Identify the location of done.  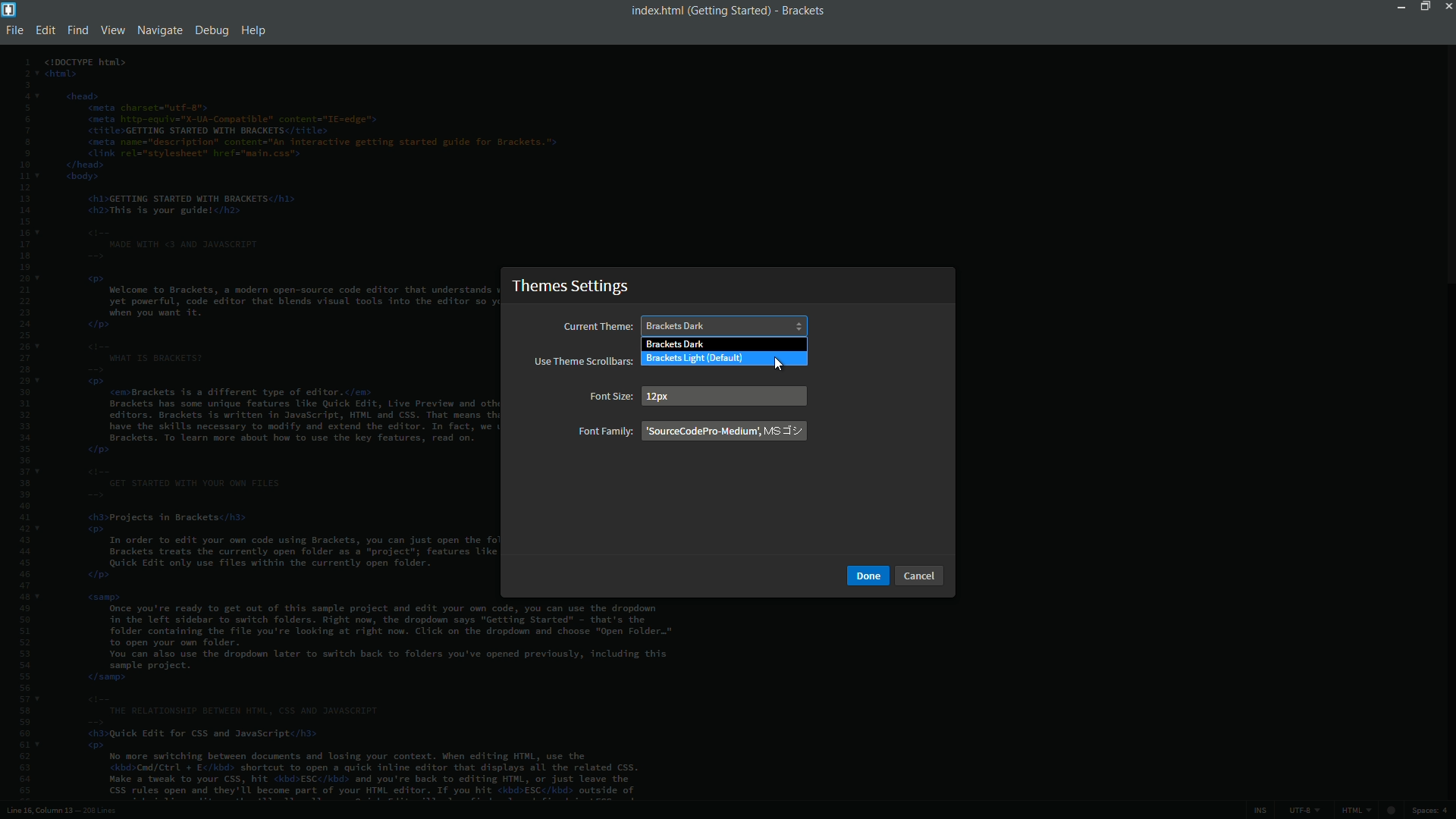
(869, 576).